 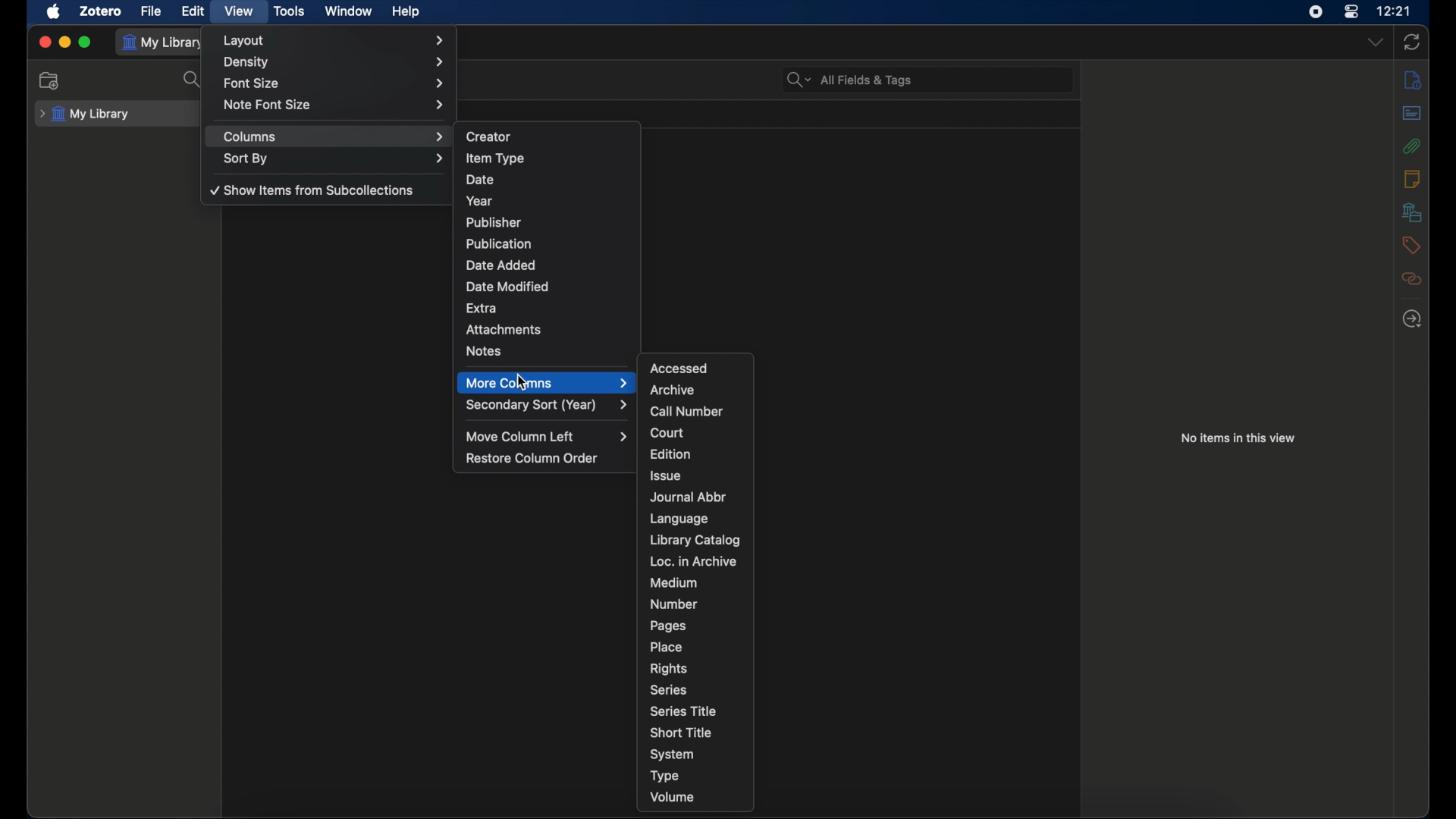 What do you see at coordinates (667, 776) in the screenshot?
I see `type` at bounding box center [667, 776].